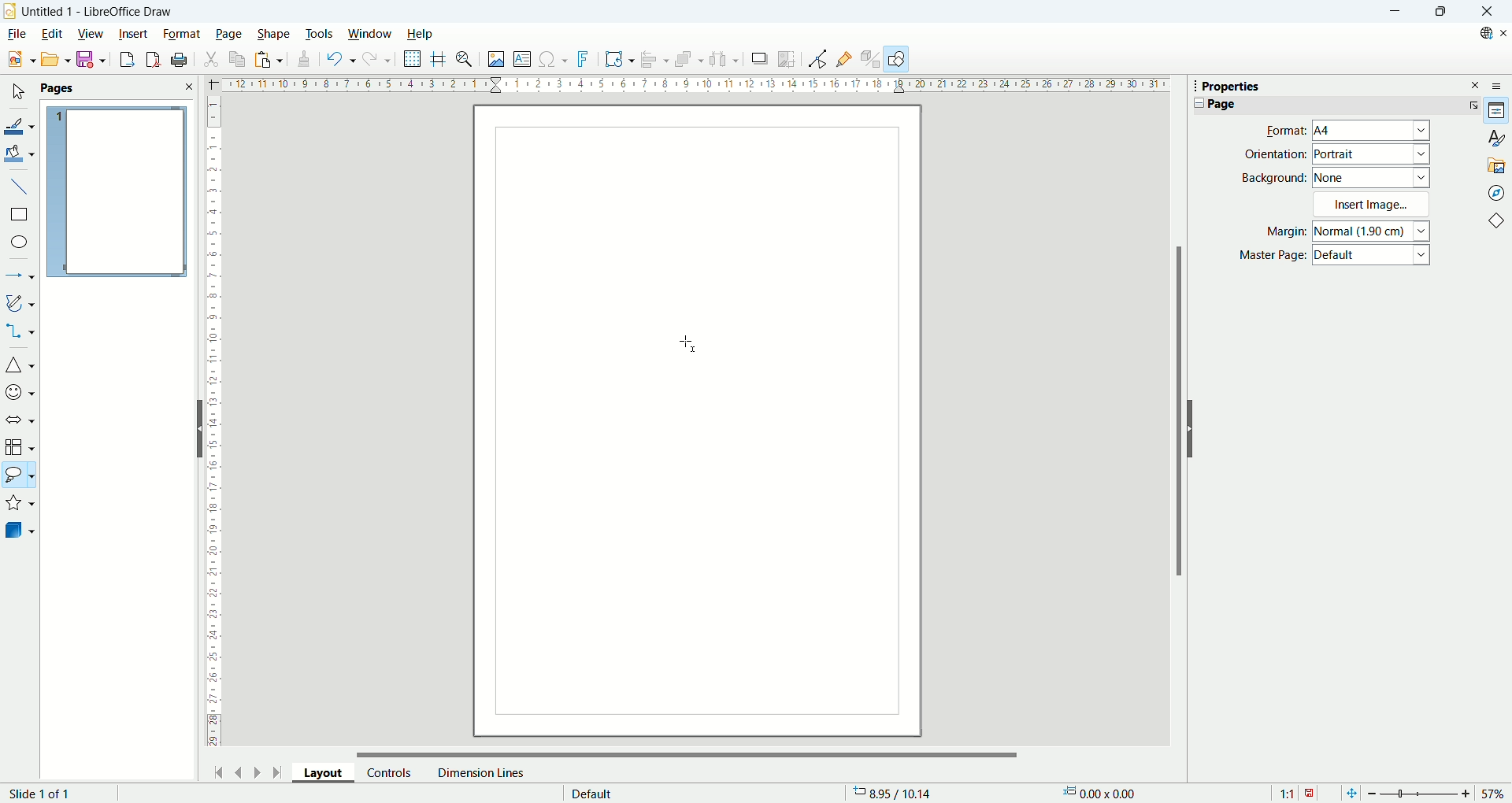 Image resolution: width=1512 pixels, height=803 pixels. What do you see at coordinates (390, 772) in the screenshot?
I see `control` at bounding box center [390, 772].